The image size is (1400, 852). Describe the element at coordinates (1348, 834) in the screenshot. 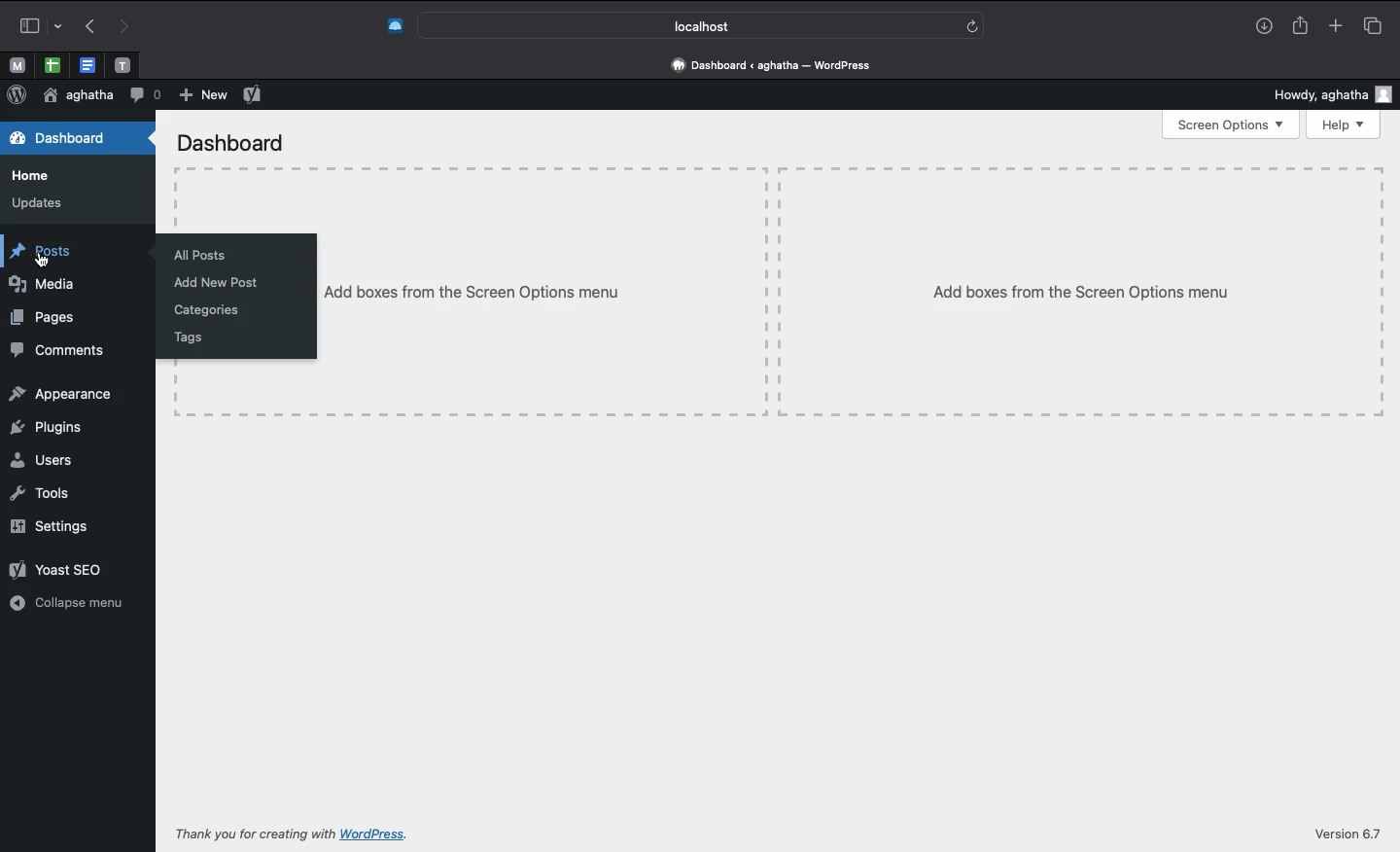

I see `Version 6.7` at that location.